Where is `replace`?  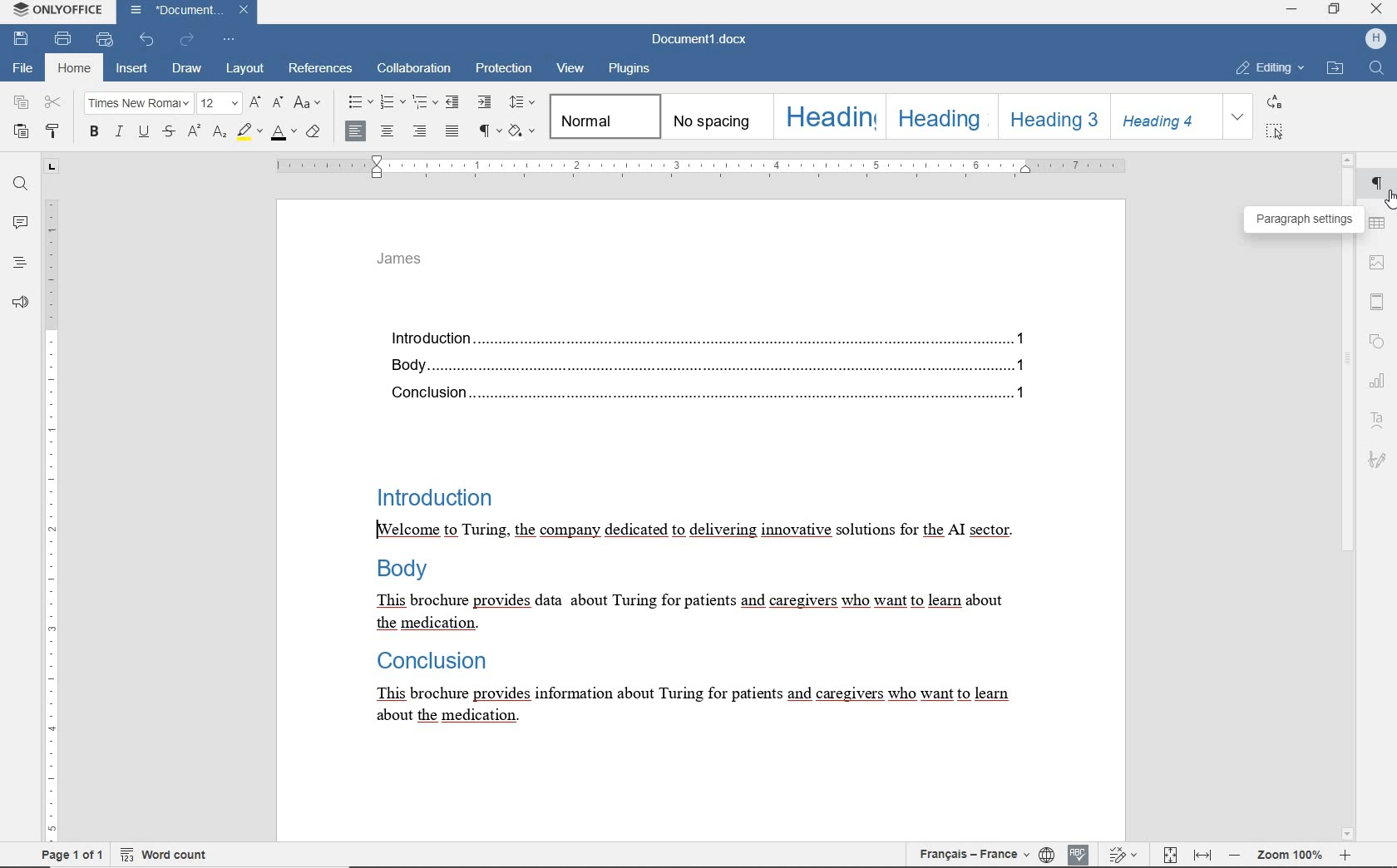 replace is located at coordinates (1272, 104).